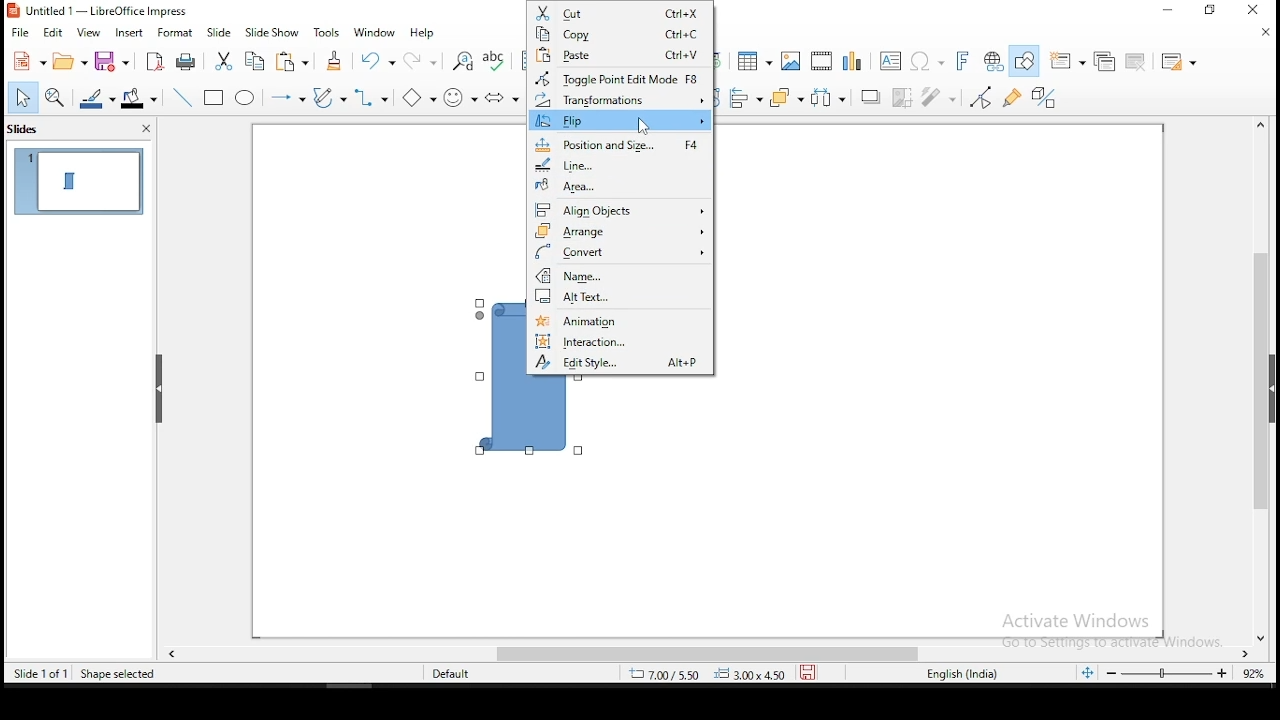  I want to click on file, so click(19, 33).